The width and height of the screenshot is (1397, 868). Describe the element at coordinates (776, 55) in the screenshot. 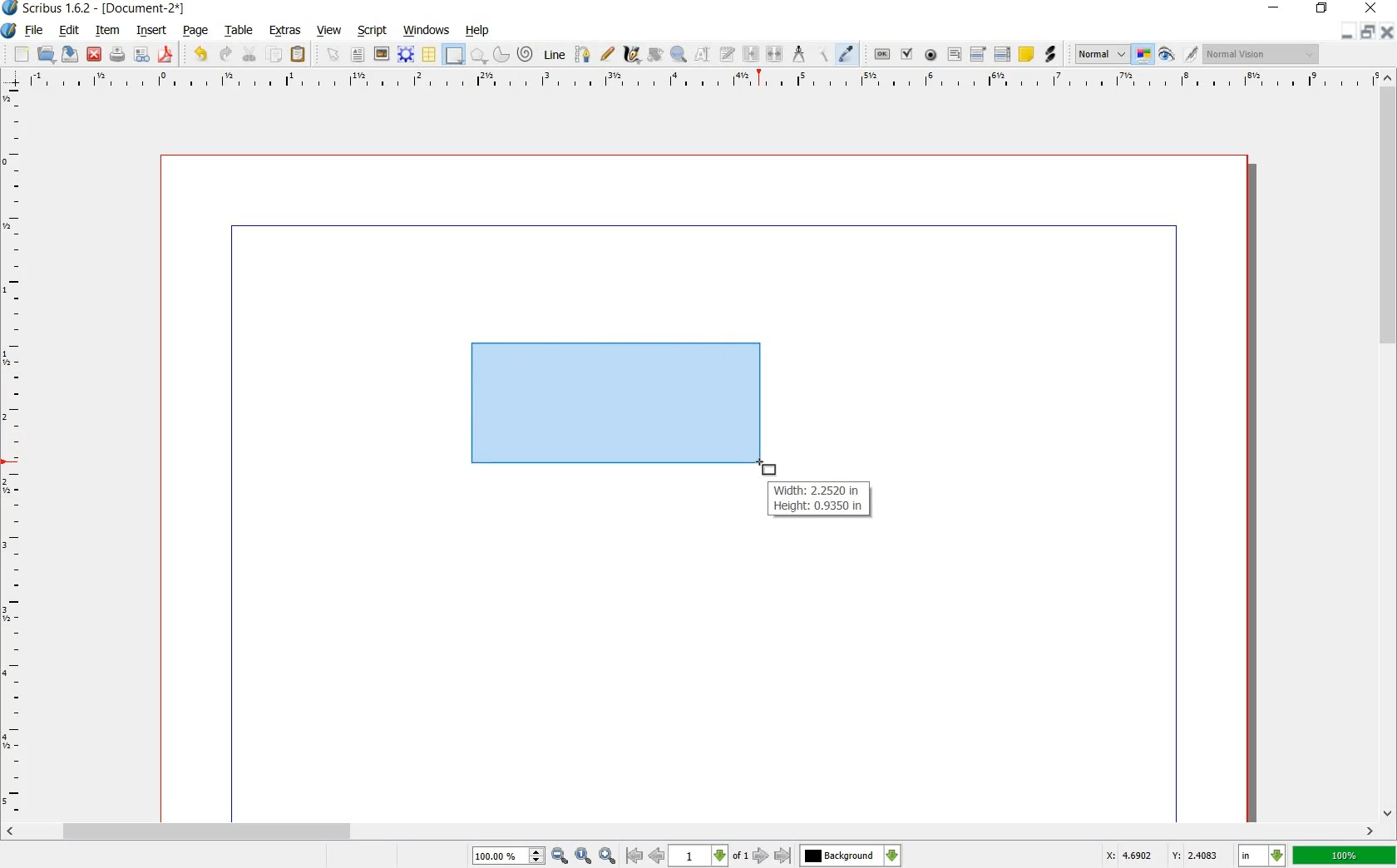

I see `UNLINK TEXT FRAME` at that location.